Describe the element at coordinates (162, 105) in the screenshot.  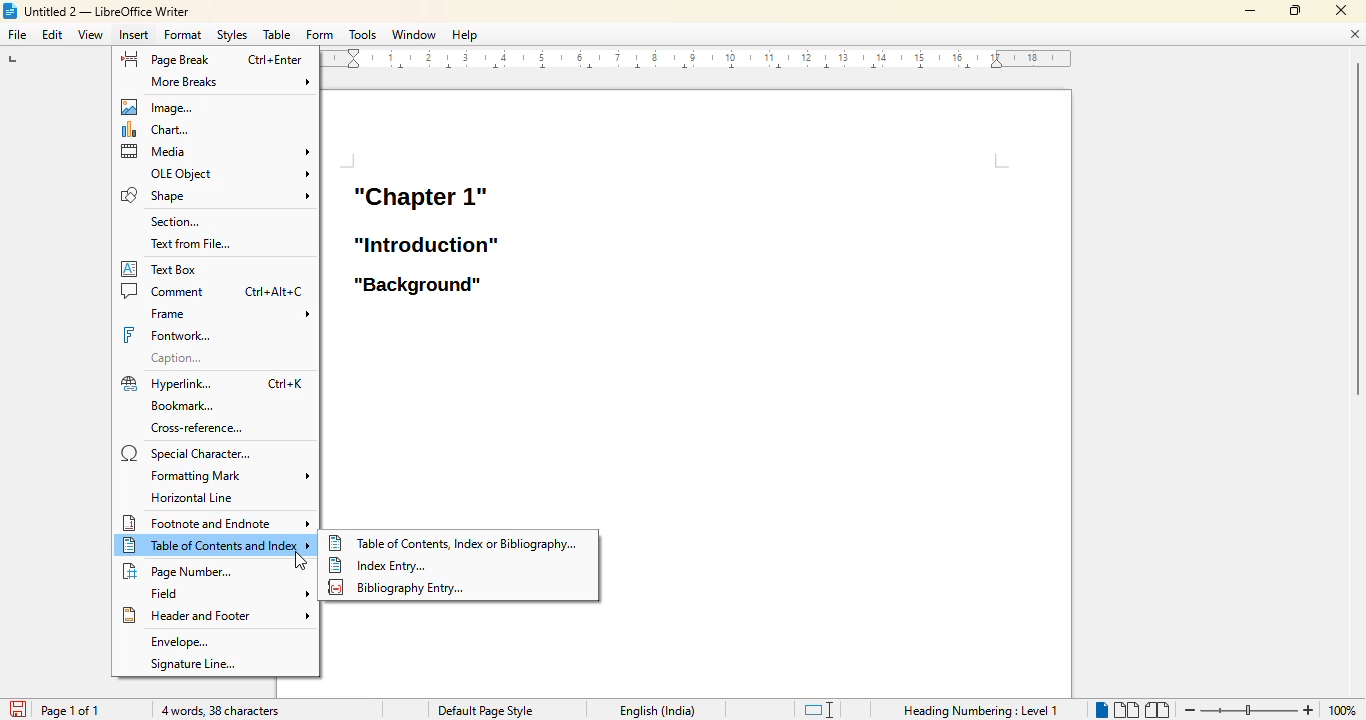
I see `image` at that location.